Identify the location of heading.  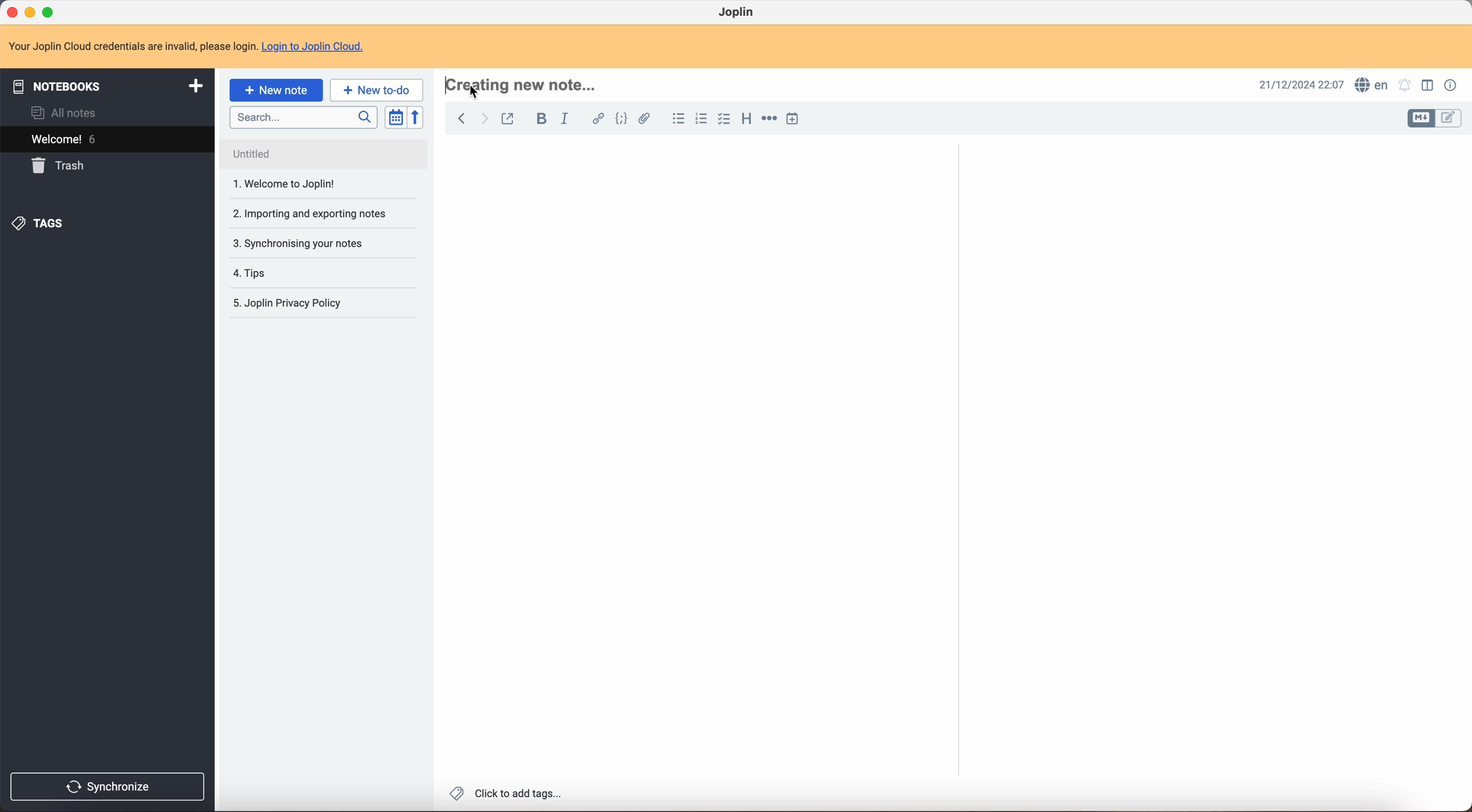
(746, 121).